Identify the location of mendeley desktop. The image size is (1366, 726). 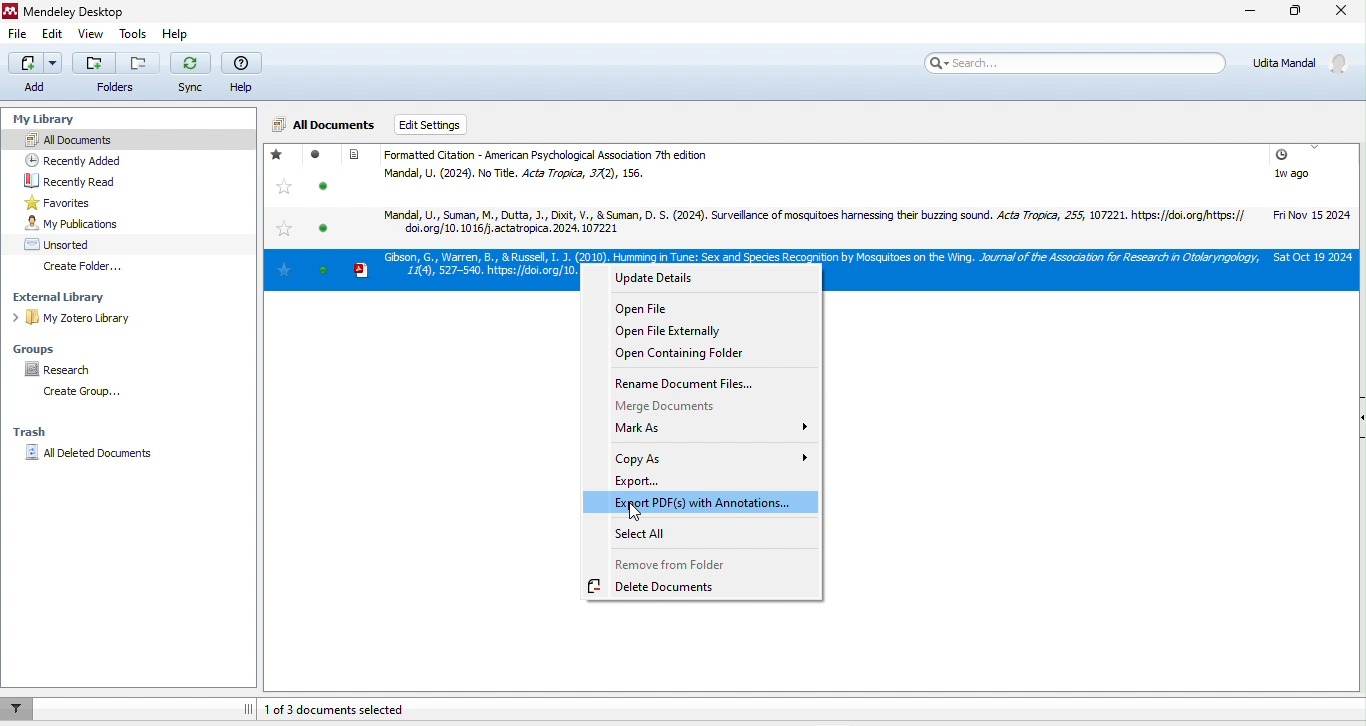
(88, 10).